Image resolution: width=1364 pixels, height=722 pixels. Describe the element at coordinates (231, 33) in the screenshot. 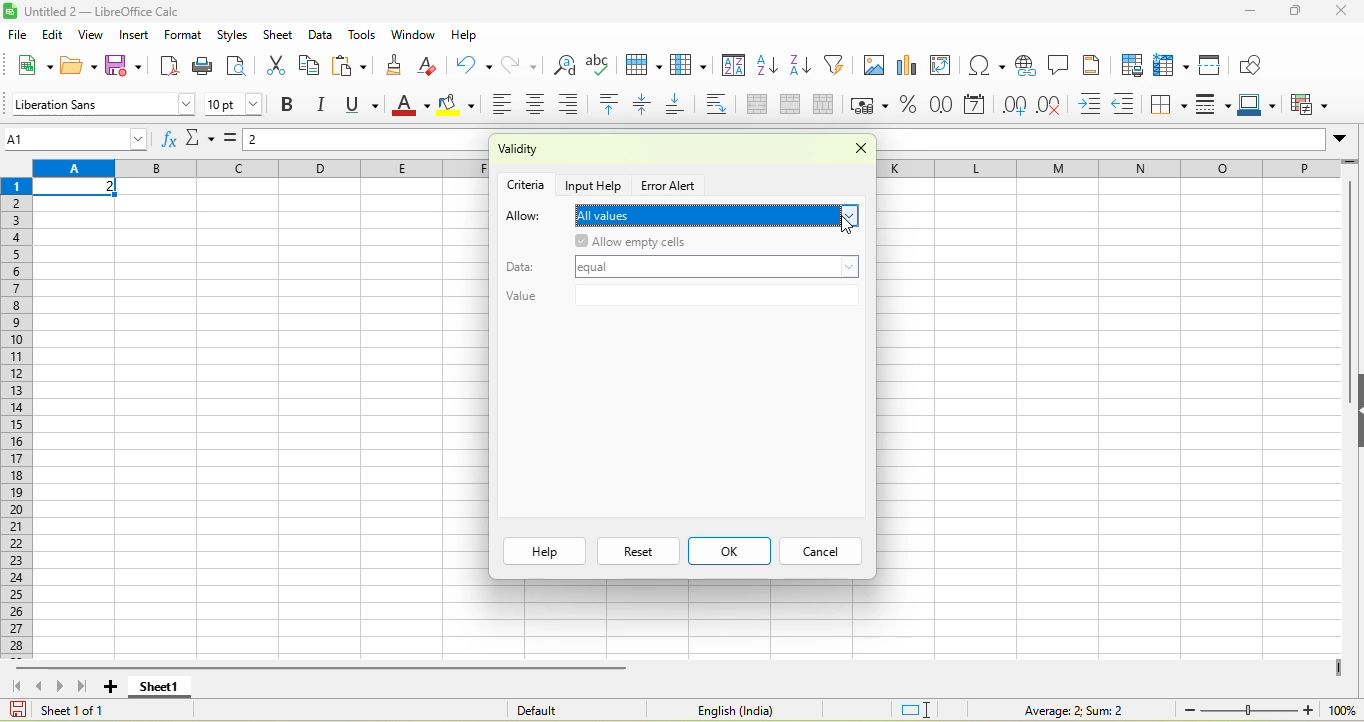

I see `styles` at that location.